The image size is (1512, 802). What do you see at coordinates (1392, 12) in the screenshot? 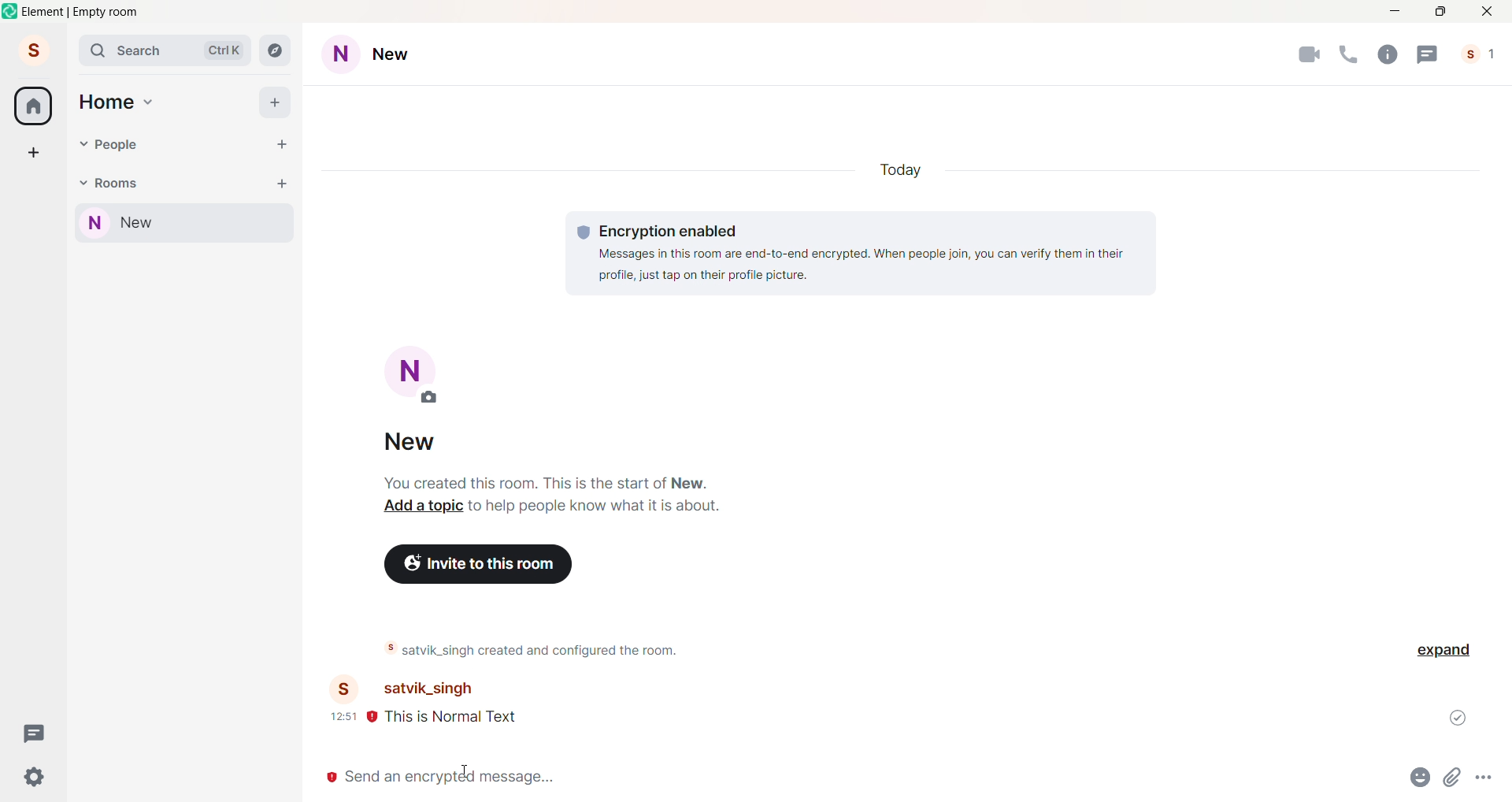
I see `Minimize` at bounding box center [1392, 12].